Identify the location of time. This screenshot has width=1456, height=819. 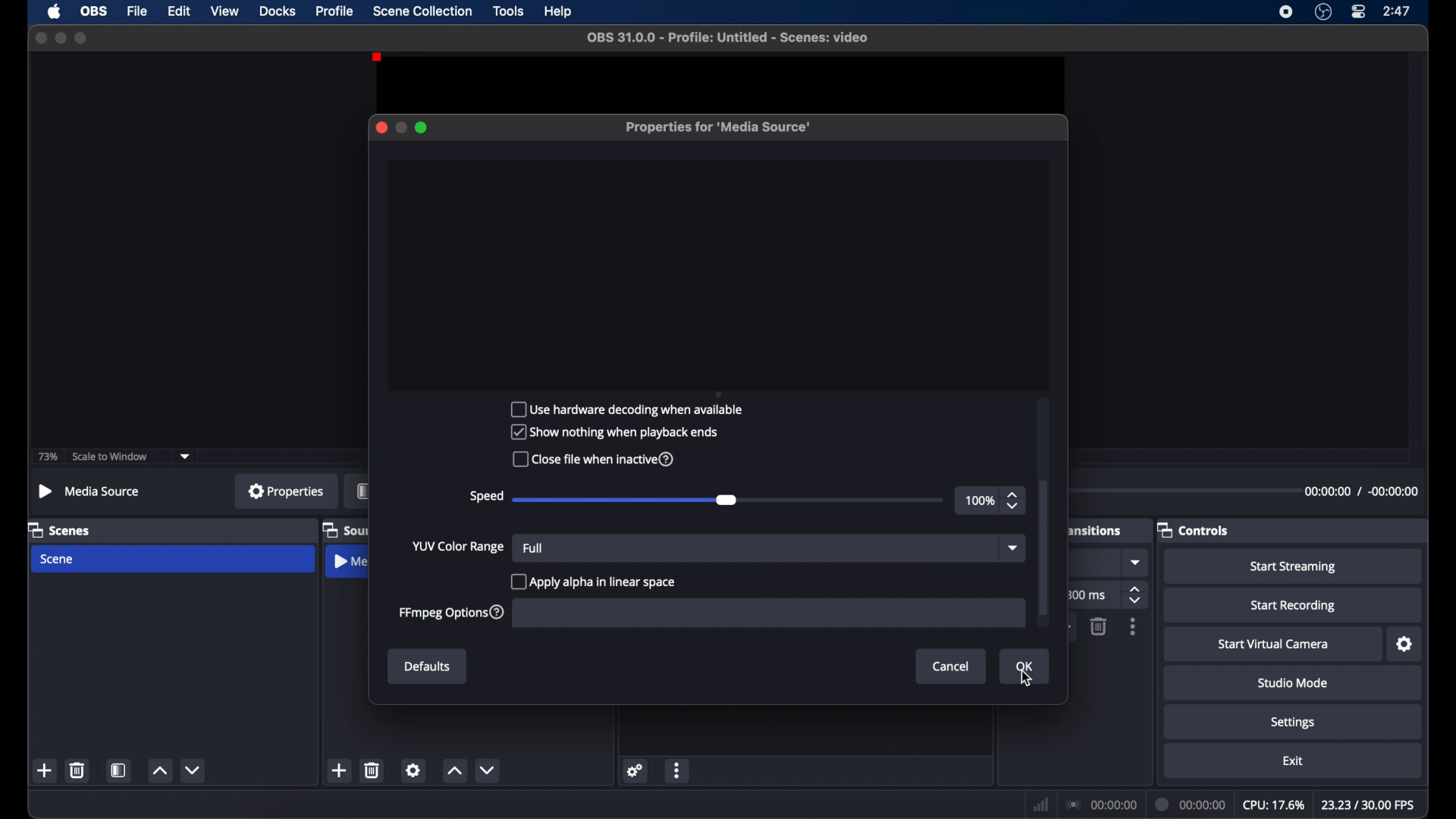
(1398, 11).